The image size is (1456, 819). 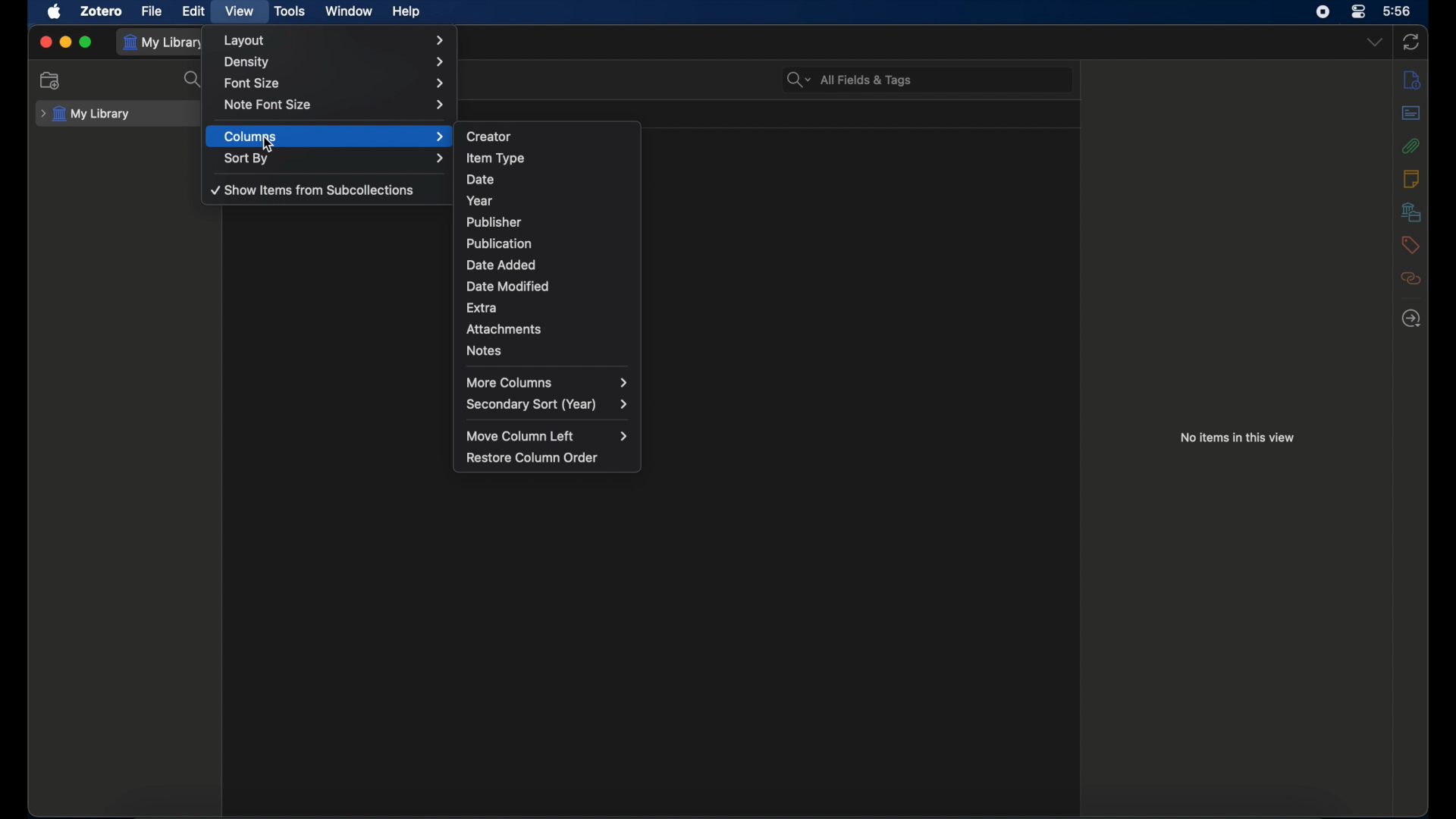 What do you see at coordinates (1412, 318) in the screenshot?
I see `locate` at bounding box center [1412, 318].